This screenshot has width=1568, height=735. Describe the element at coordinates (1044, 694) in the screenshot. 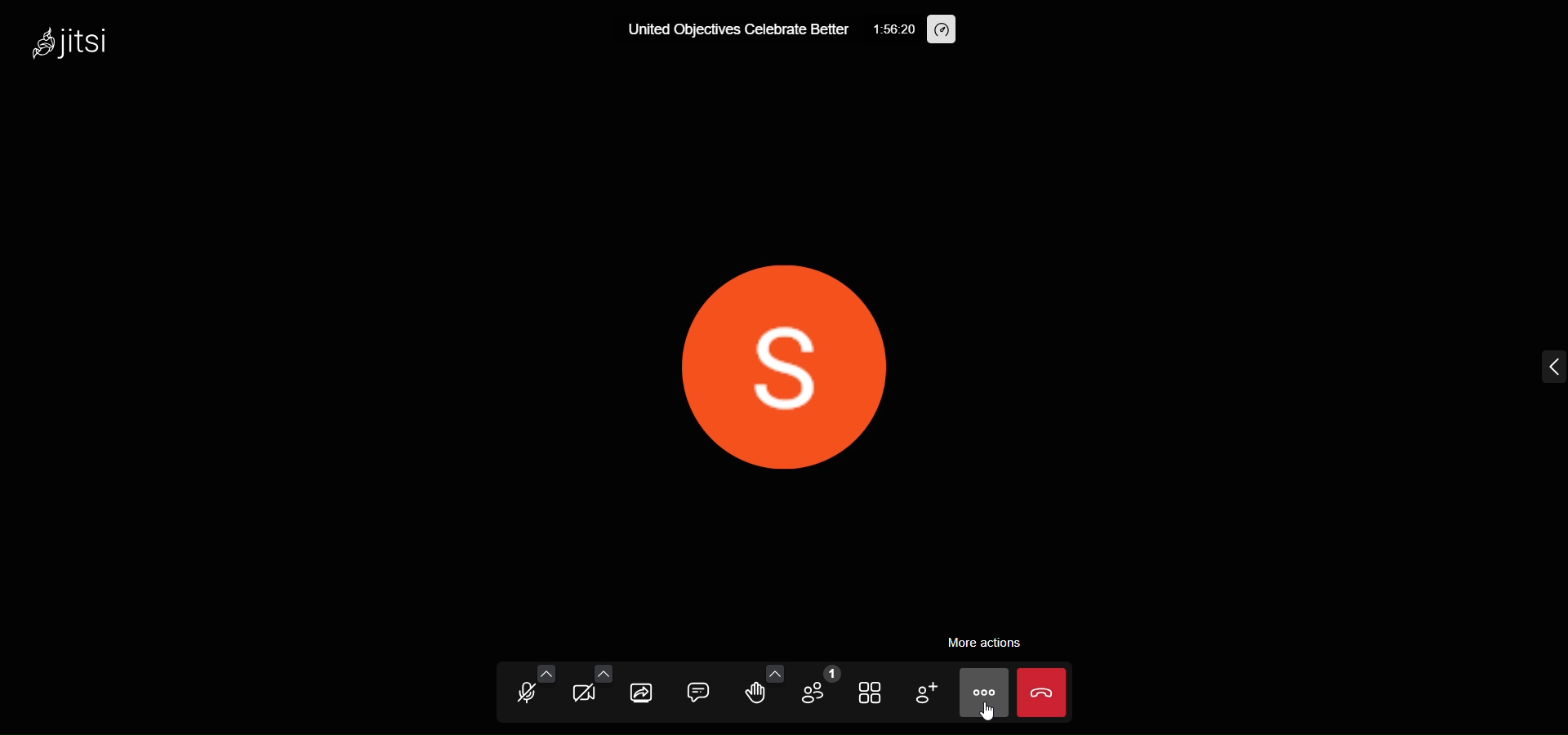

I see `leave the call` at that location.